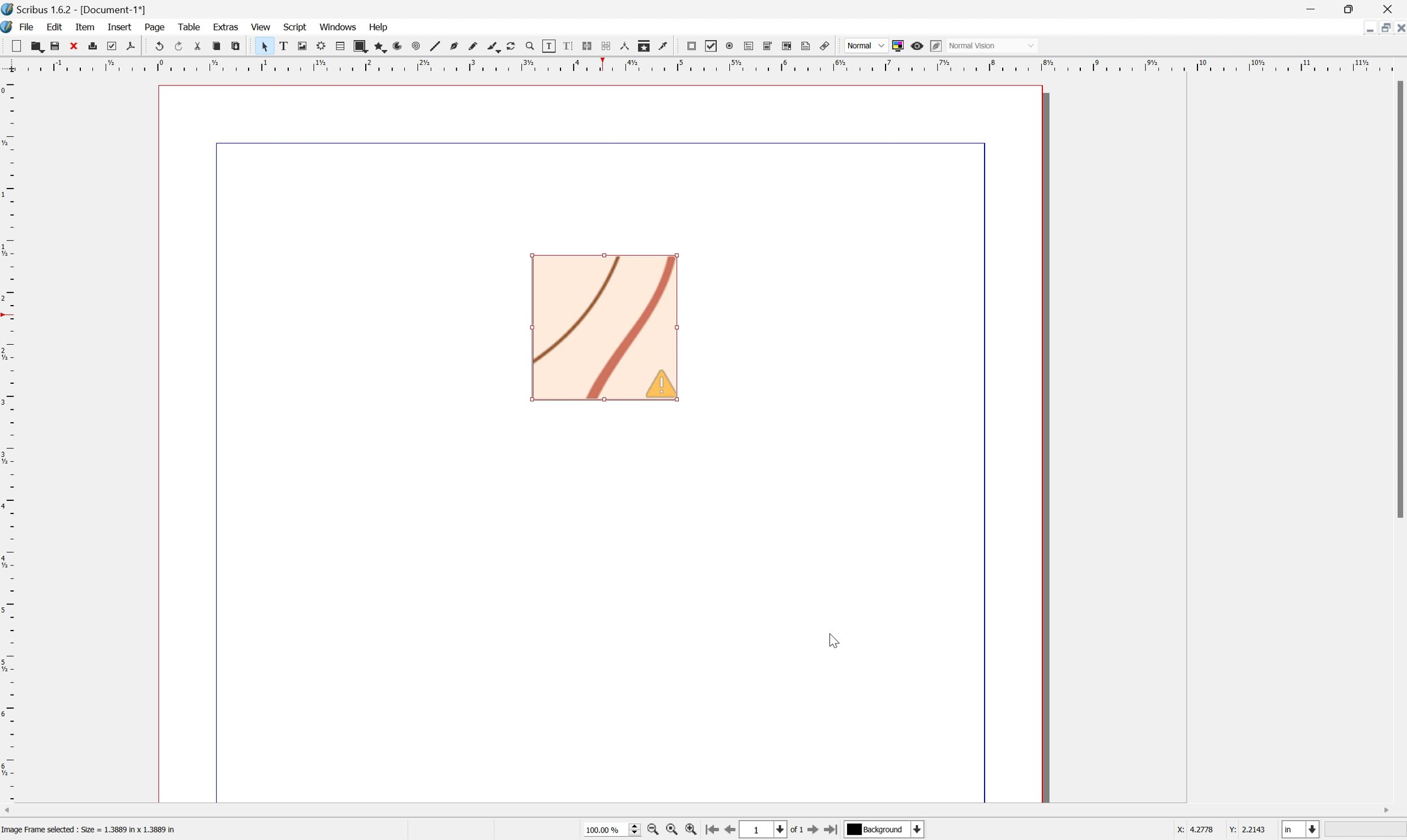 The width and height of the screenshot is (1407, 840). What do you see at coordinates (95, 46) in the screenshot?
I see `Print` at bounding box center [95, 46].